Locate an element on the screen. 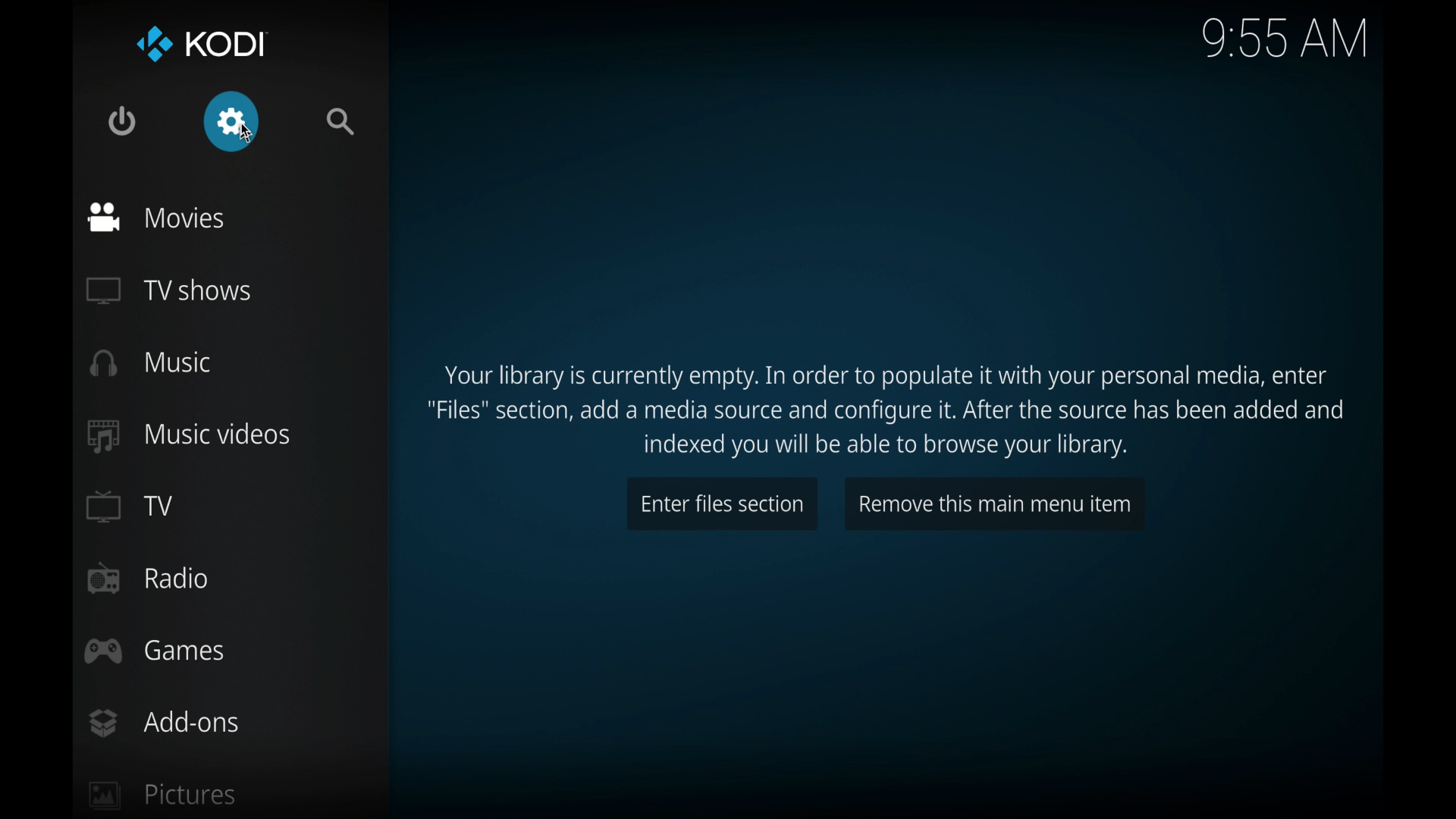 The width and height of the screenshot is (1456, 819). KODI is located at coordinates (199, 43).